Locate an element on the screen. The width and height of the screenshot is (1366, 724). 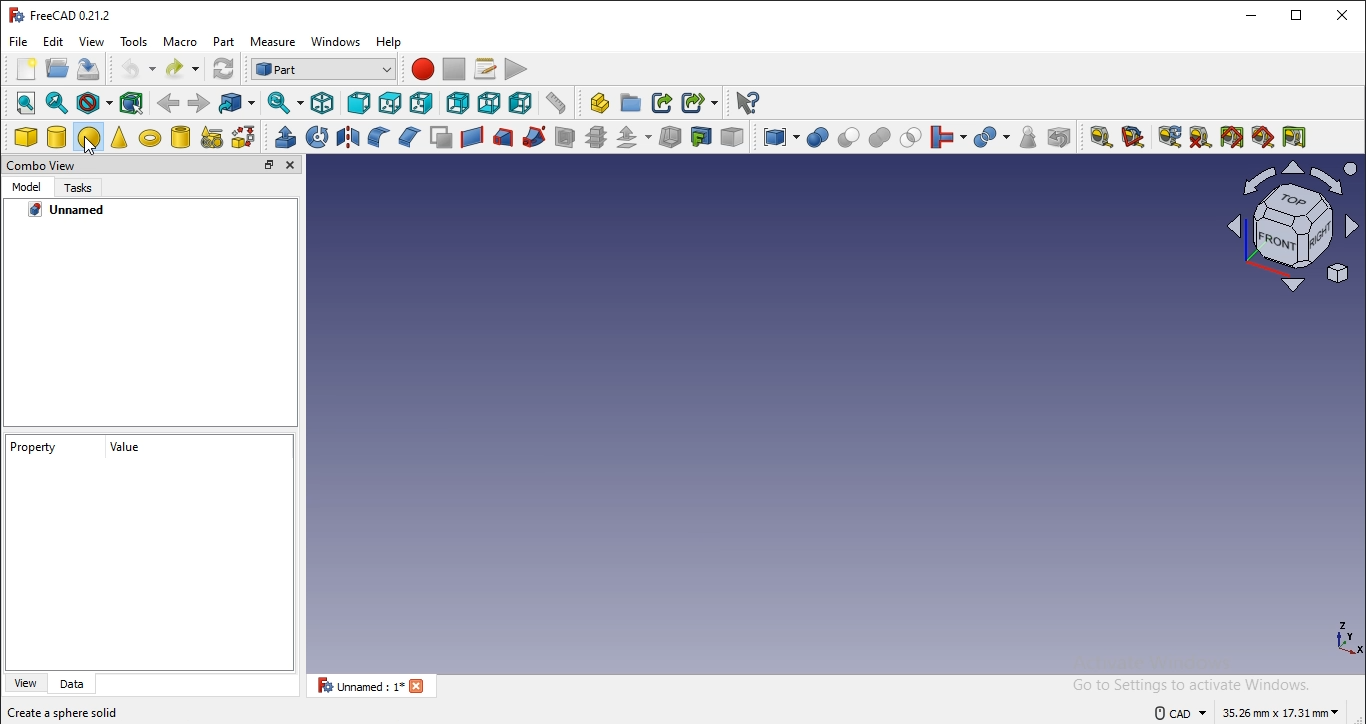
toggle all is located at coordinates (1234, 136).